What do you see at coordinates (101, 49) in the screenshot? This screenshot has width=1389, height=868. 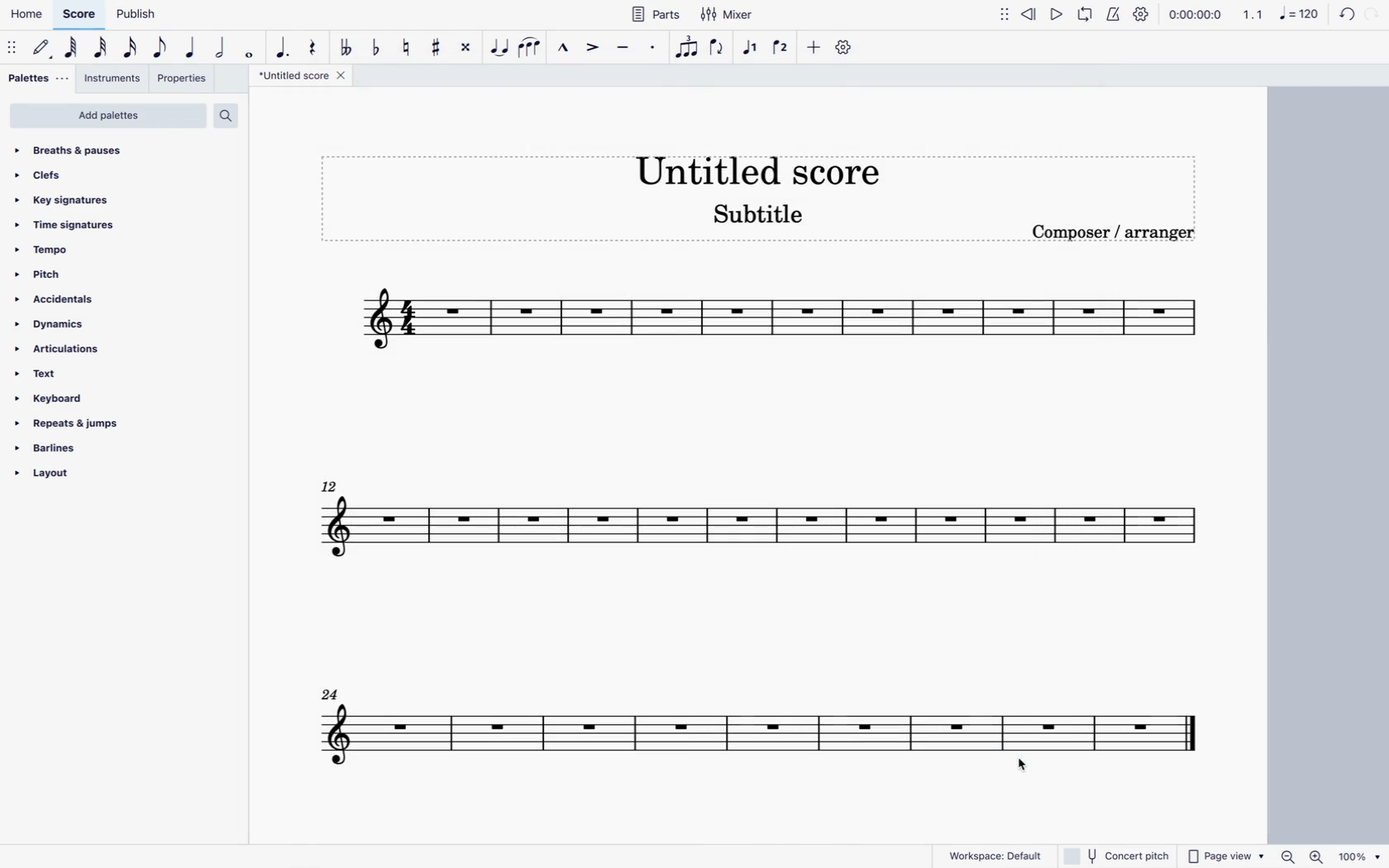 I see `32nd note` at bounding box center [101, 49].